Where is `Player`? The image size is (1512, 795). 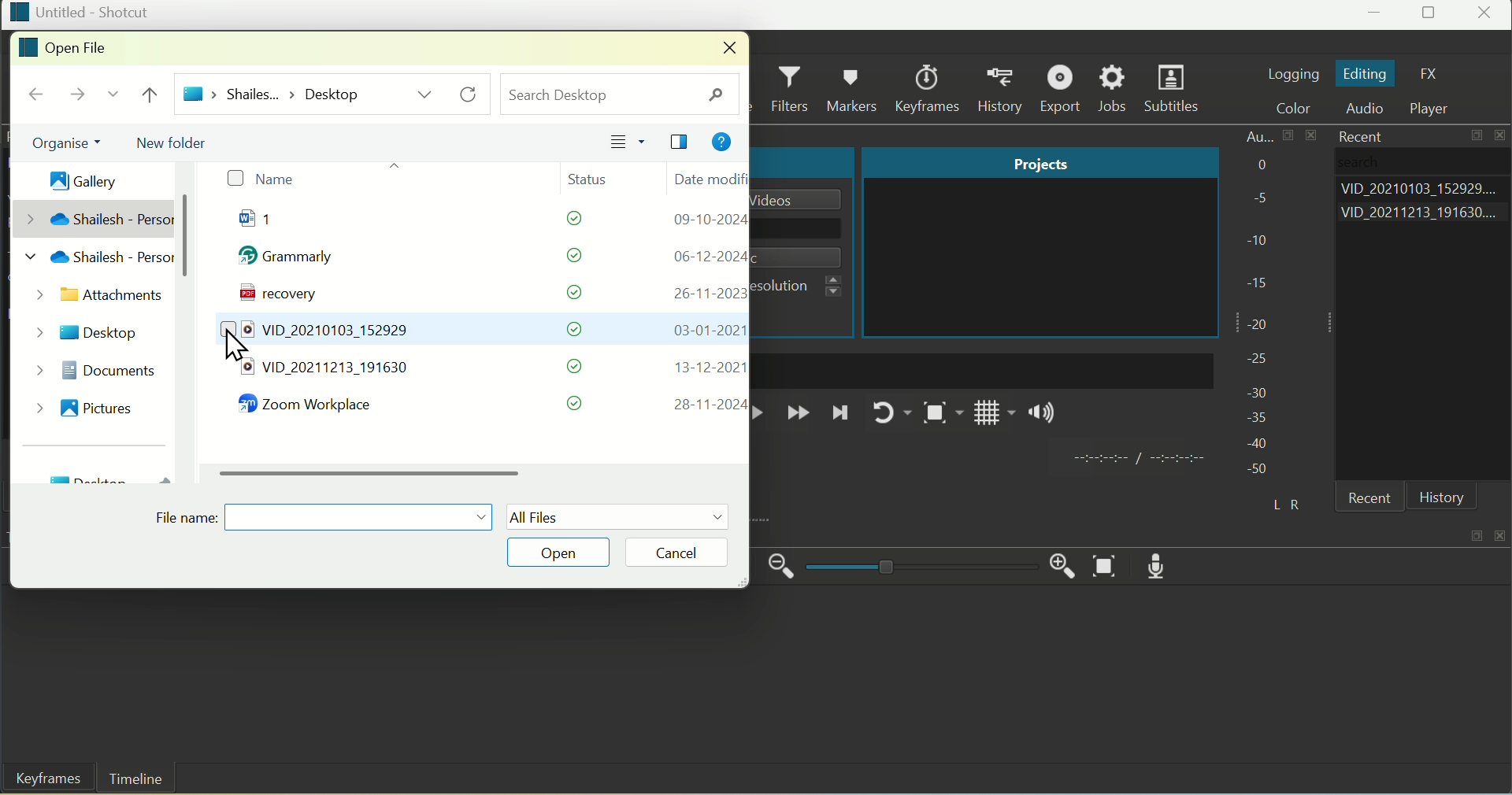
Player is located at coordinates (1437, 109).